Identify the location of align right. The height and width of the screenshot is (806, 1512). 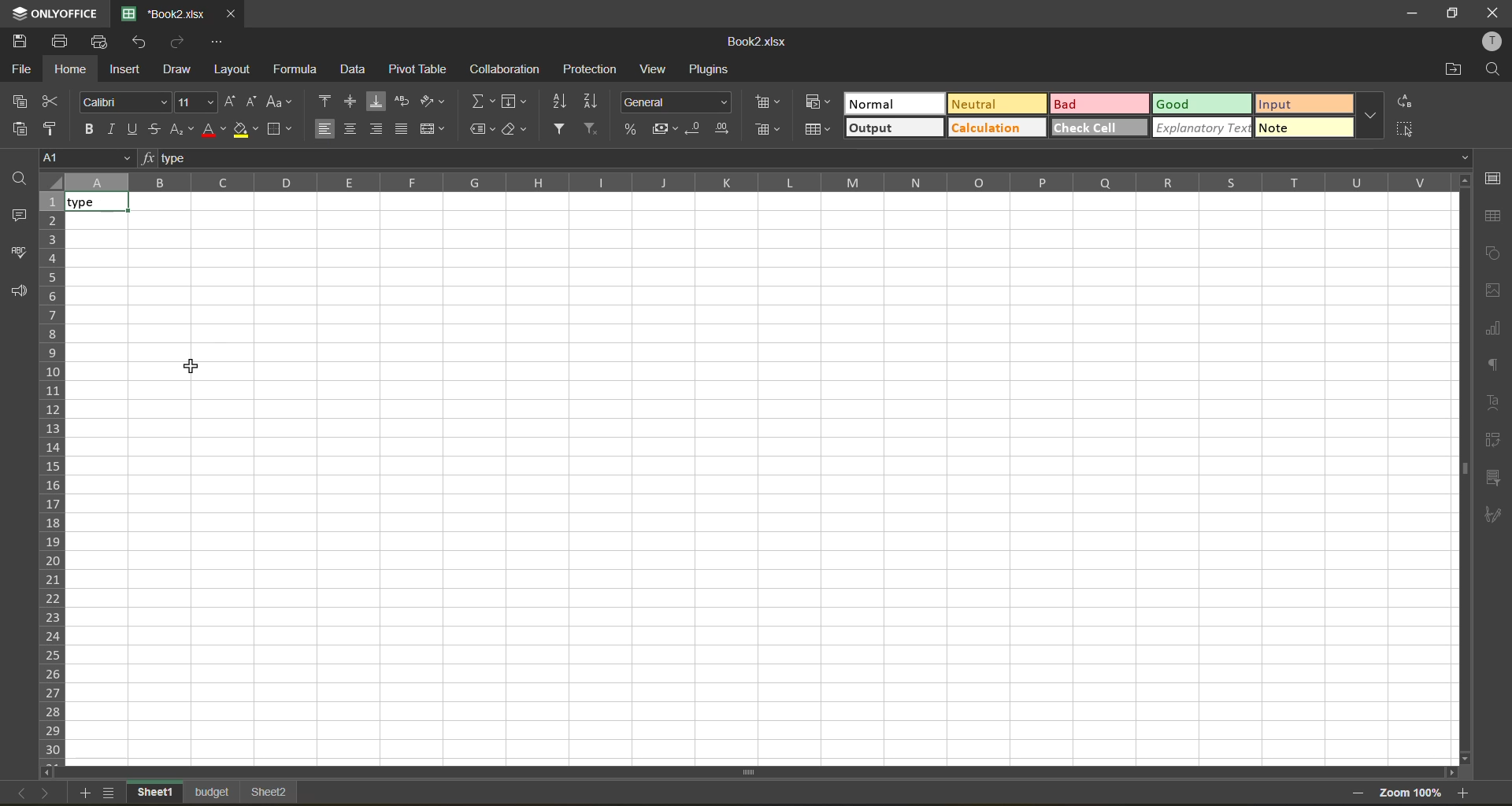
(376, 128).